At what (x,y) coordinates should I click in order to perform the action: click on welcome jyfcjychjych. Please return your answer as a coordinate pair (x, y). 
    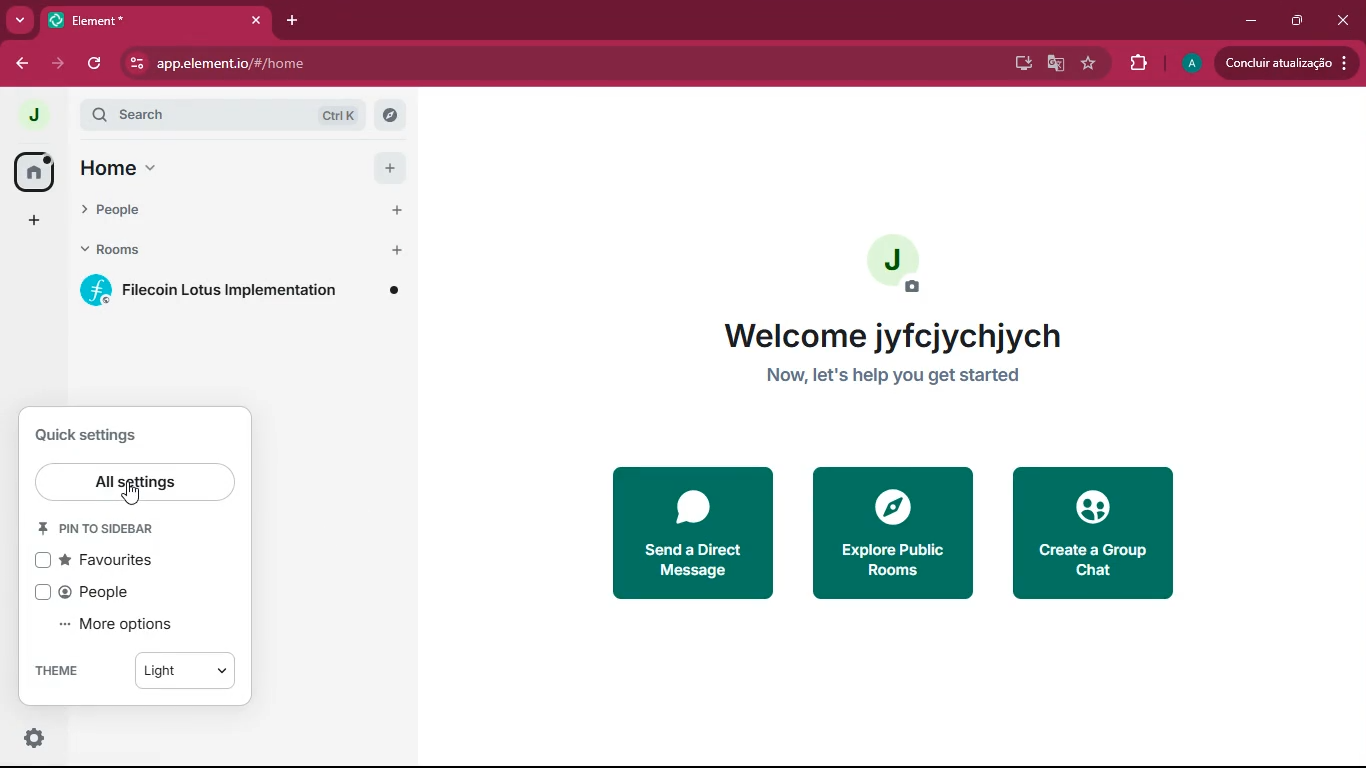
    Looking at the image, I should click on (885, 335).